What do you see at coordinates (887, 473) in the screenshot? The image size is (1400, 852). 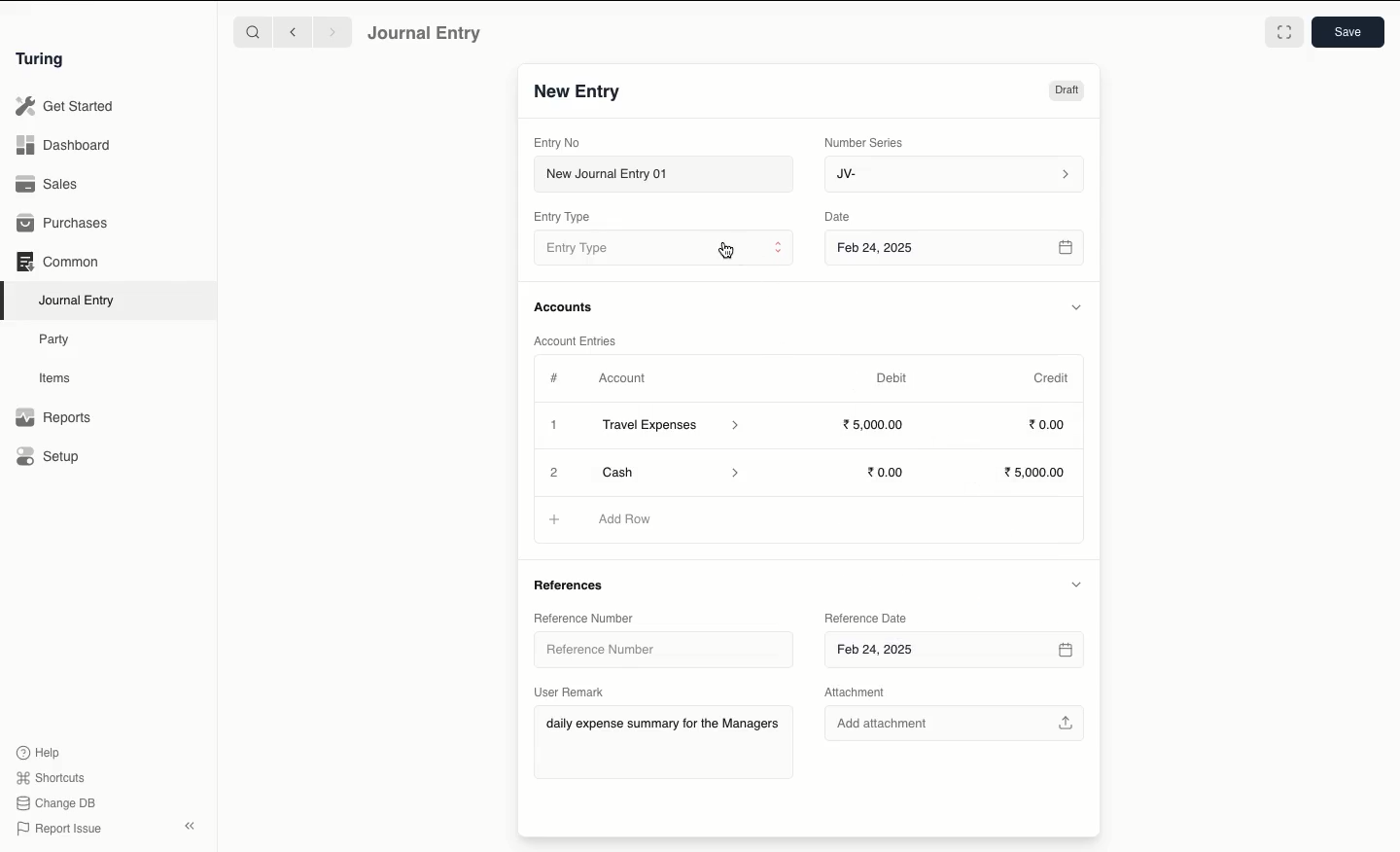 I see `0.00` at bounding box center [887, 473].